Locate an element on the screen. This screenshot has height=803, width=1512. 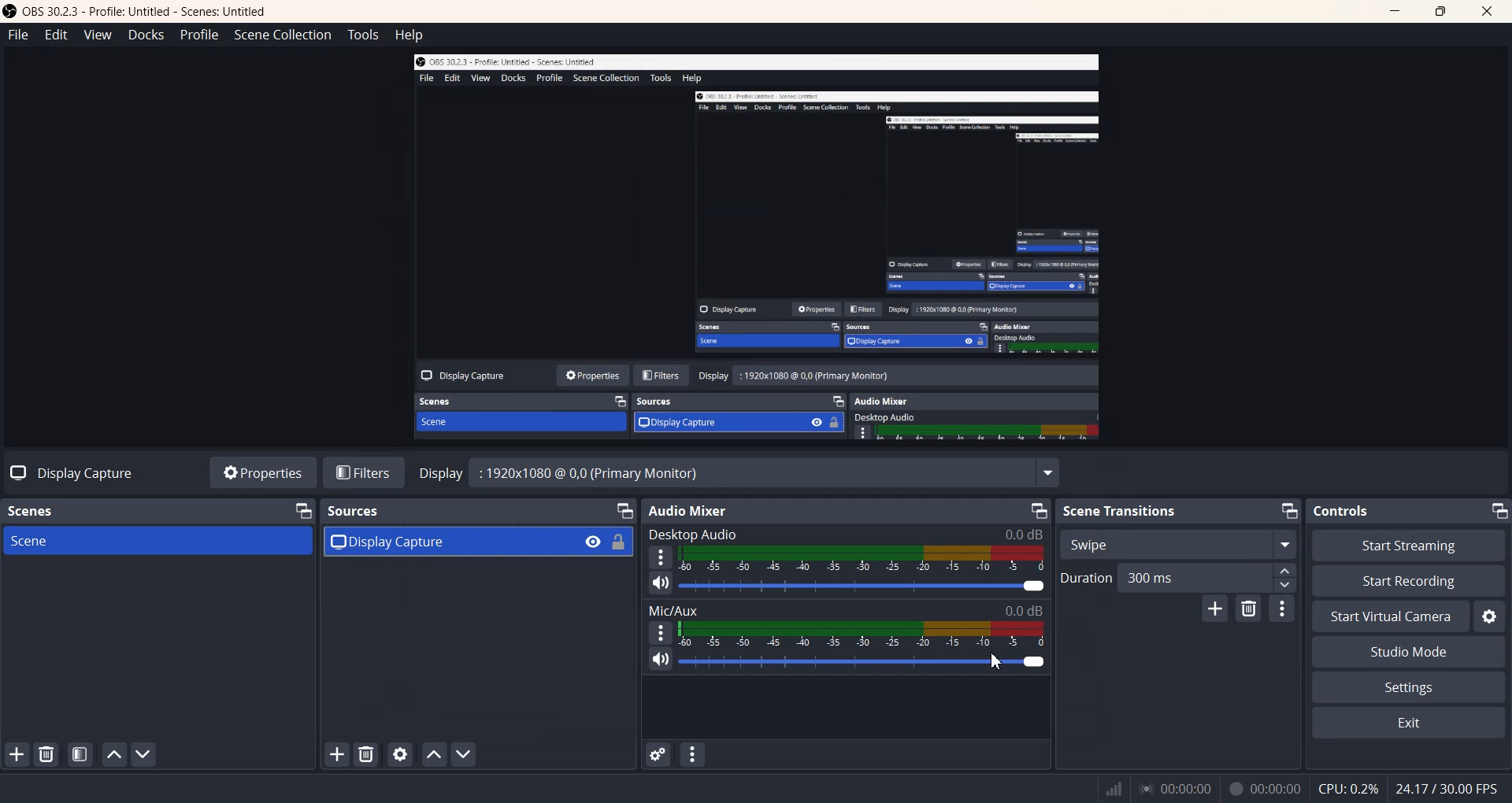
Sources is located at coordinates (355, 510).